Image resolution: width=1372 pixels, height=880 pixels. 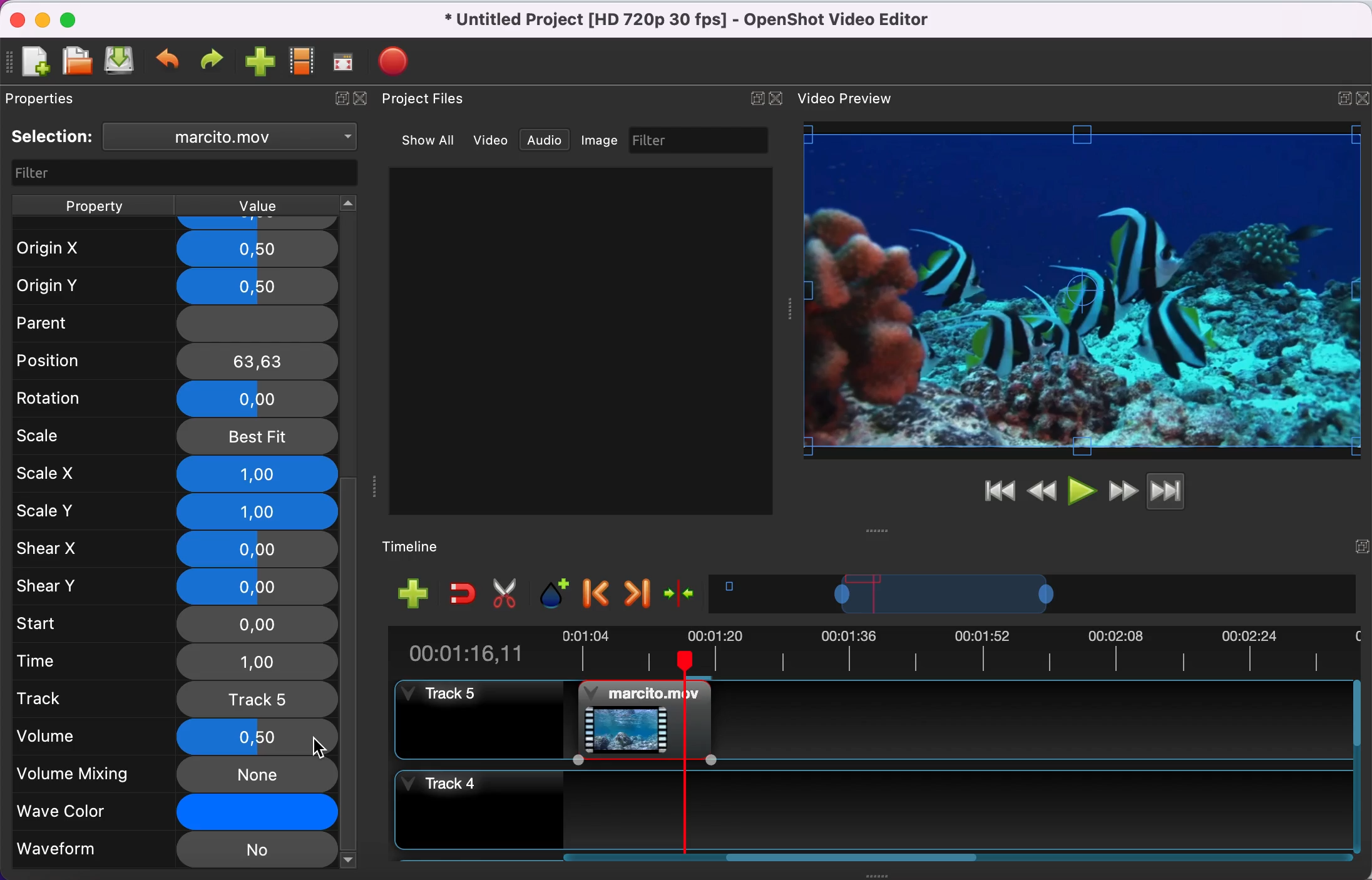 I want to click on close, so click(x=366, y=103).